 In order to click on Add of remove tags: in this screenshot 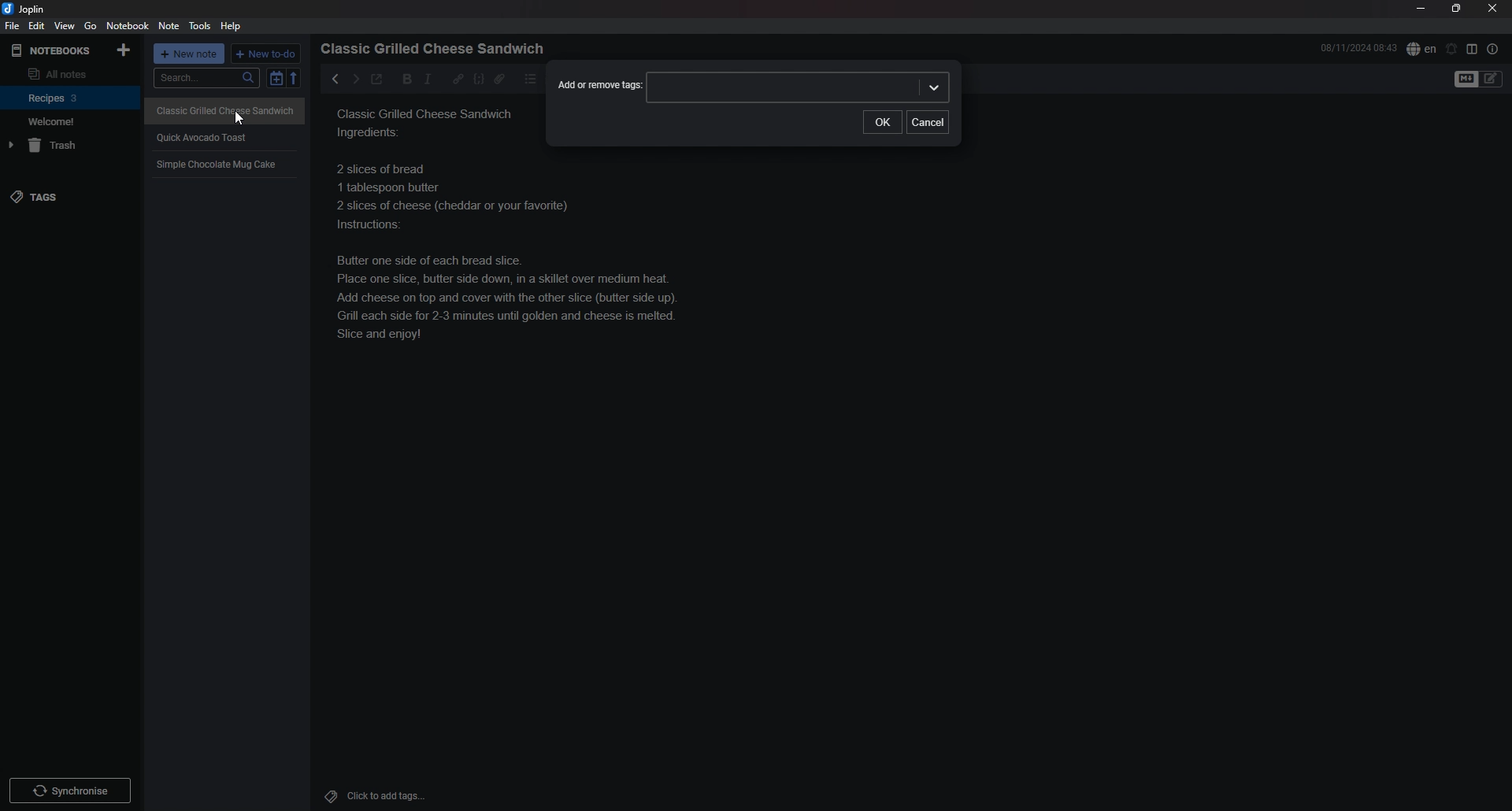, I will do `click(598, 87)`.